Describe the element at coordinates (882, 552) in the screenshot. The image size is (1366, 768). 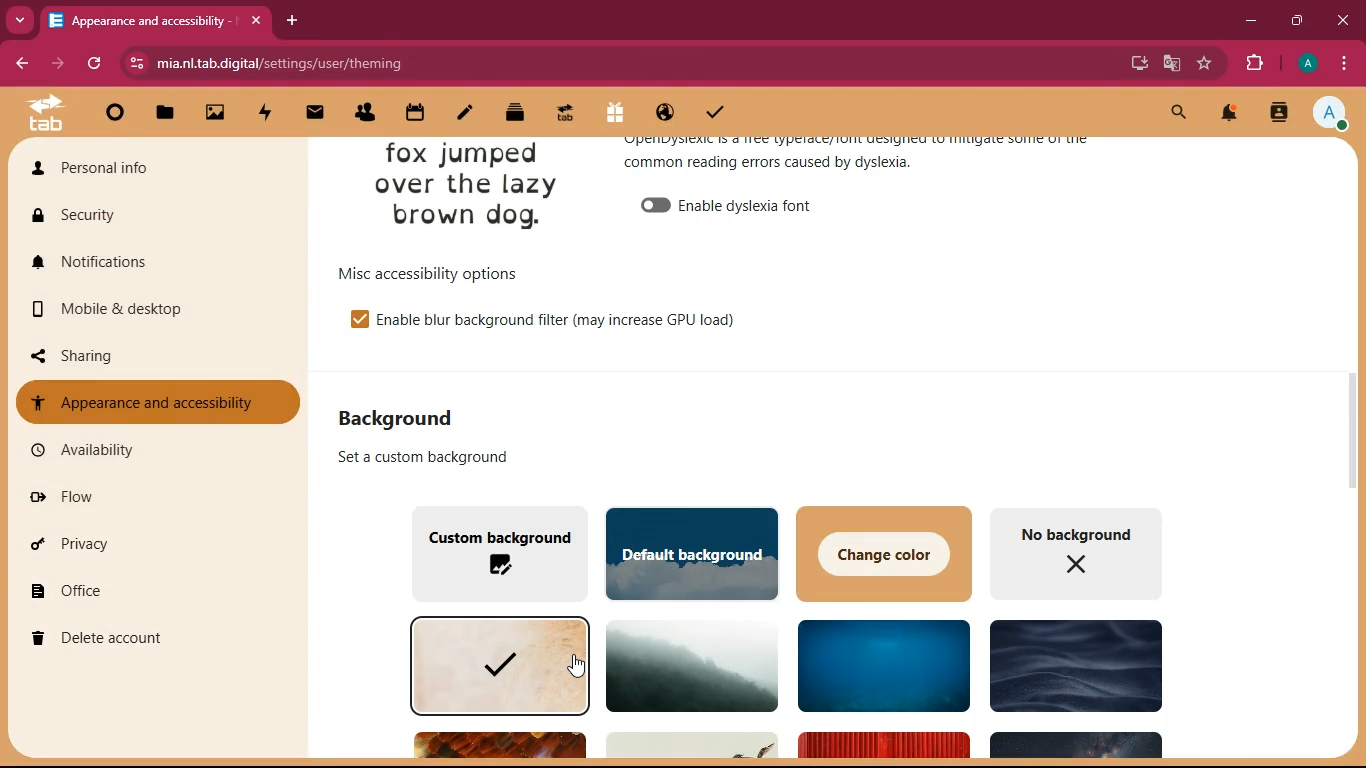
I see `change` at that location.